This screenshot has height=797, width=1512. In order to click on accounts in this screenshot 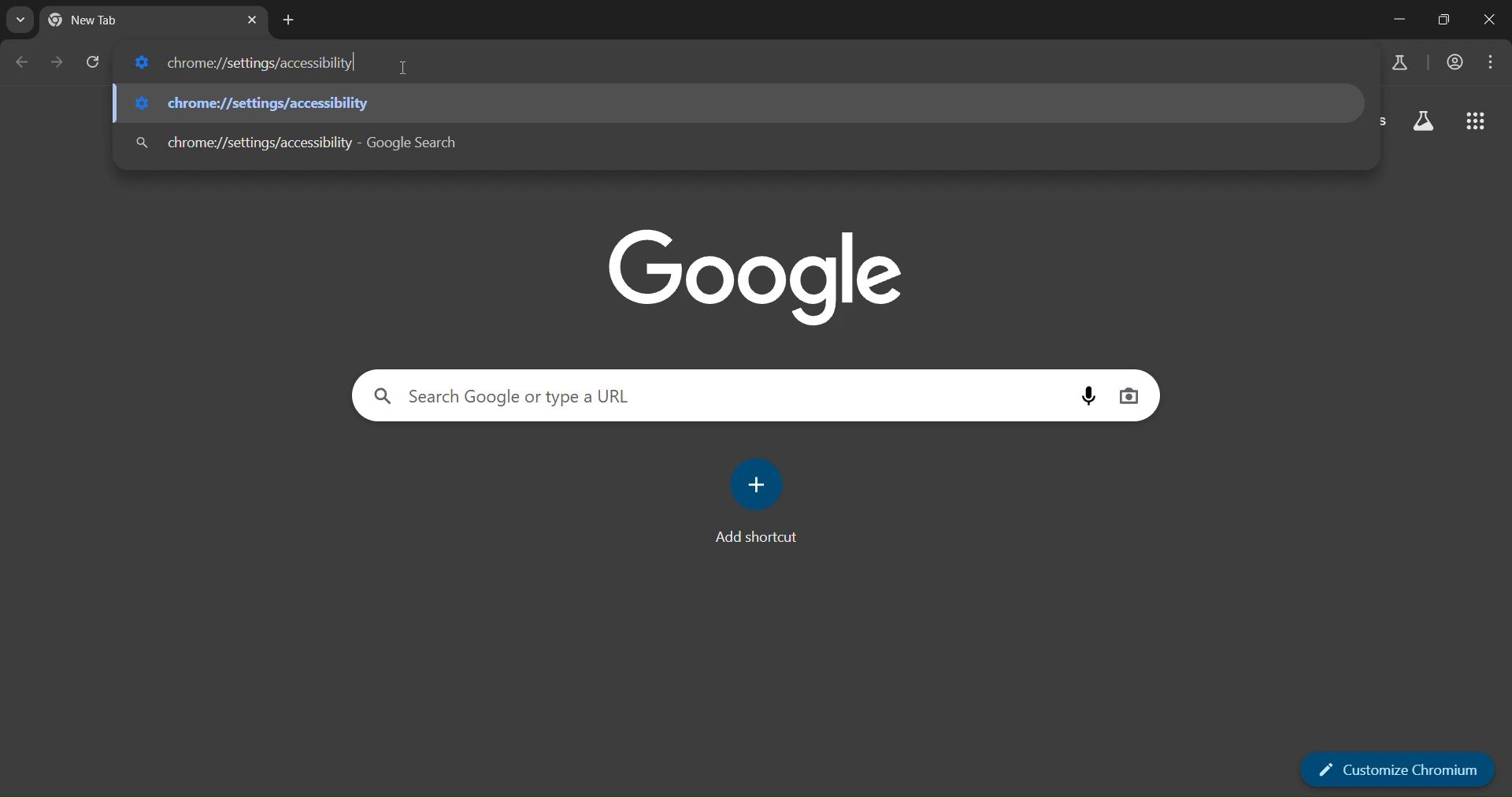, I will do `click(1455, 62)`.